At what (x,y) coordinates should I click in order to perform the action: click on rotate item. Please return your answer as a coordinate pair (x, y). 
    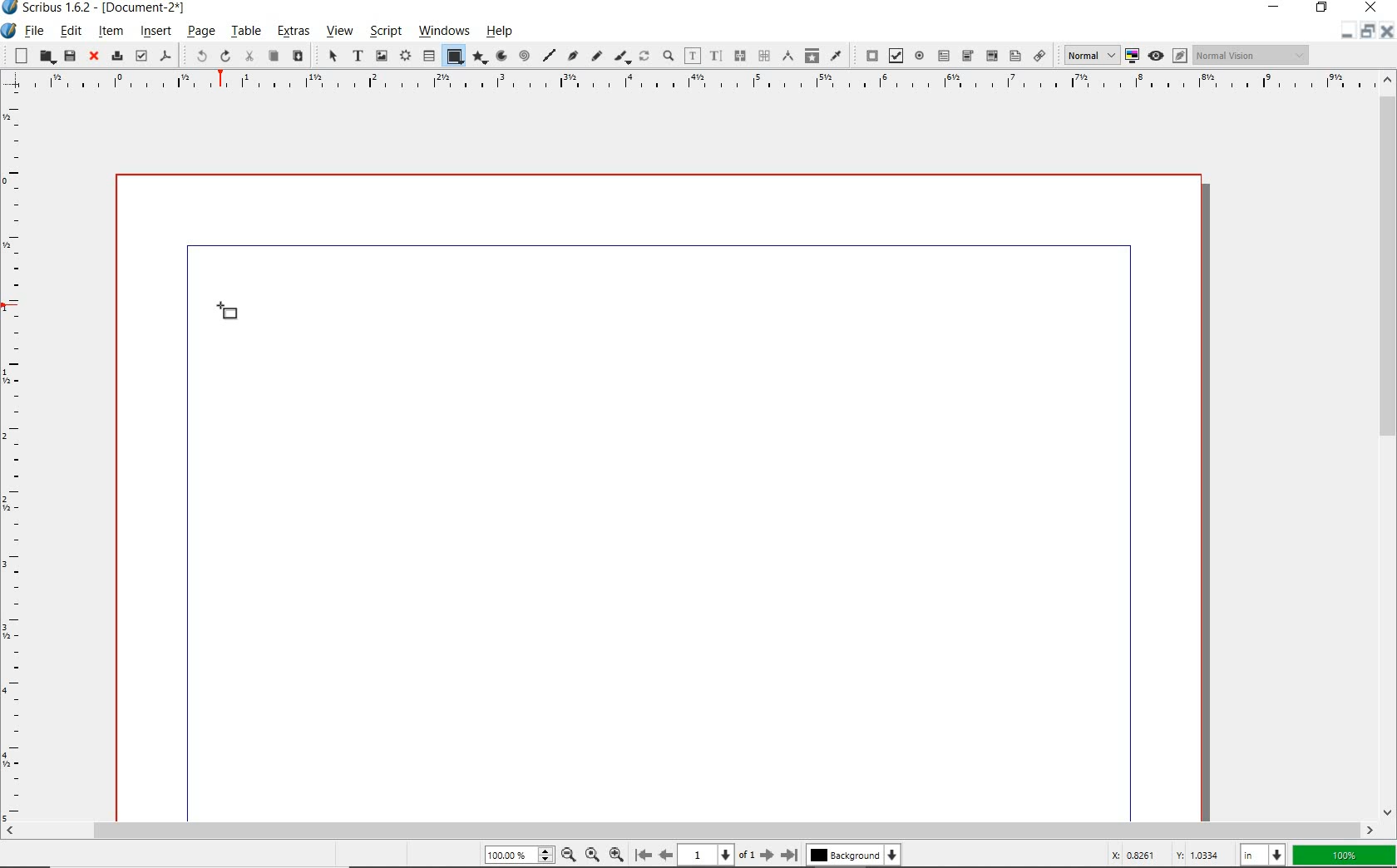
    Looking at the image, I should click on (644, 55).